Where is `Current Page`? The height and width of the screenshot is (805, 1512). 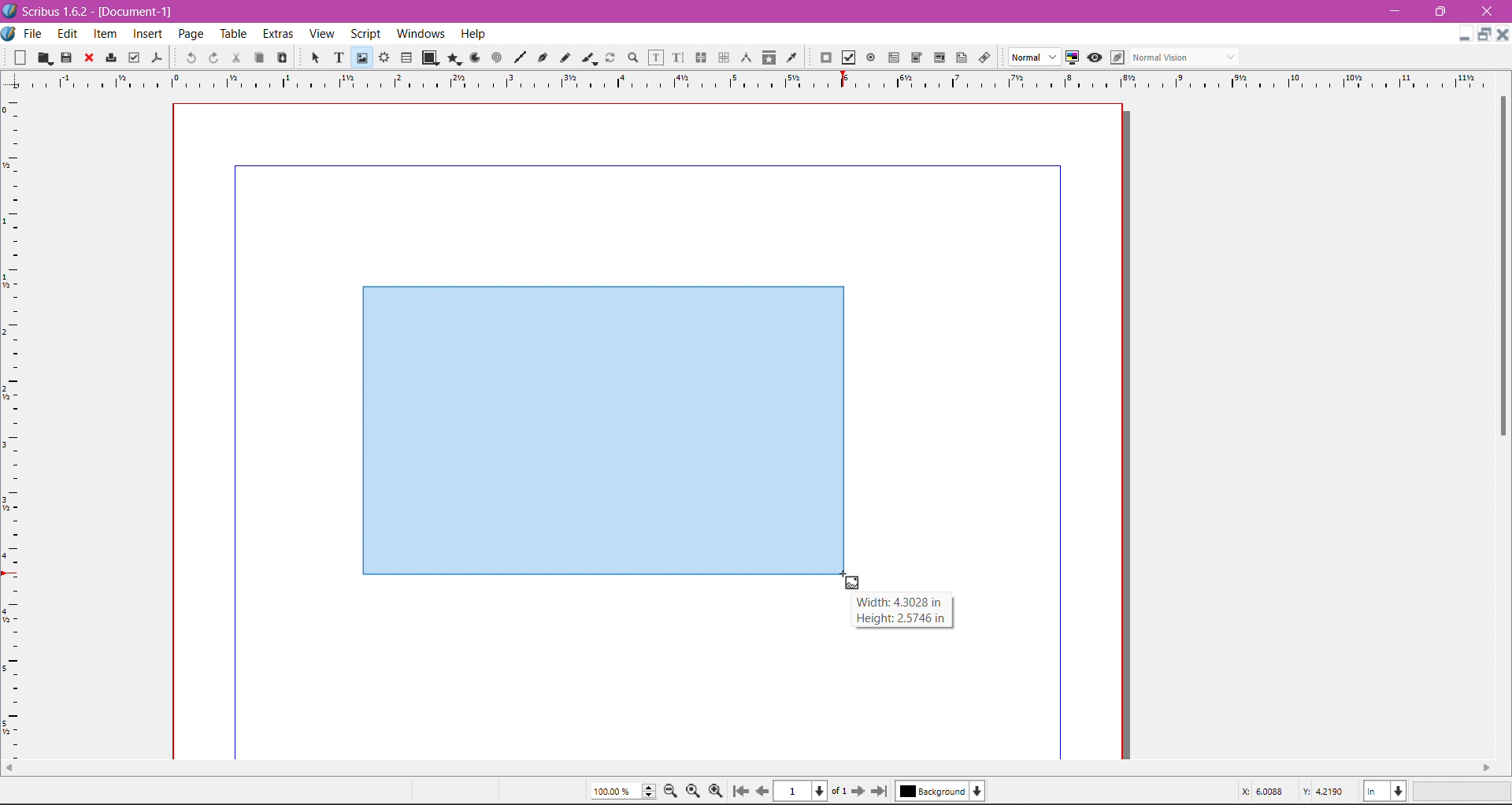 Current Page is located at coordinates (814, 792).